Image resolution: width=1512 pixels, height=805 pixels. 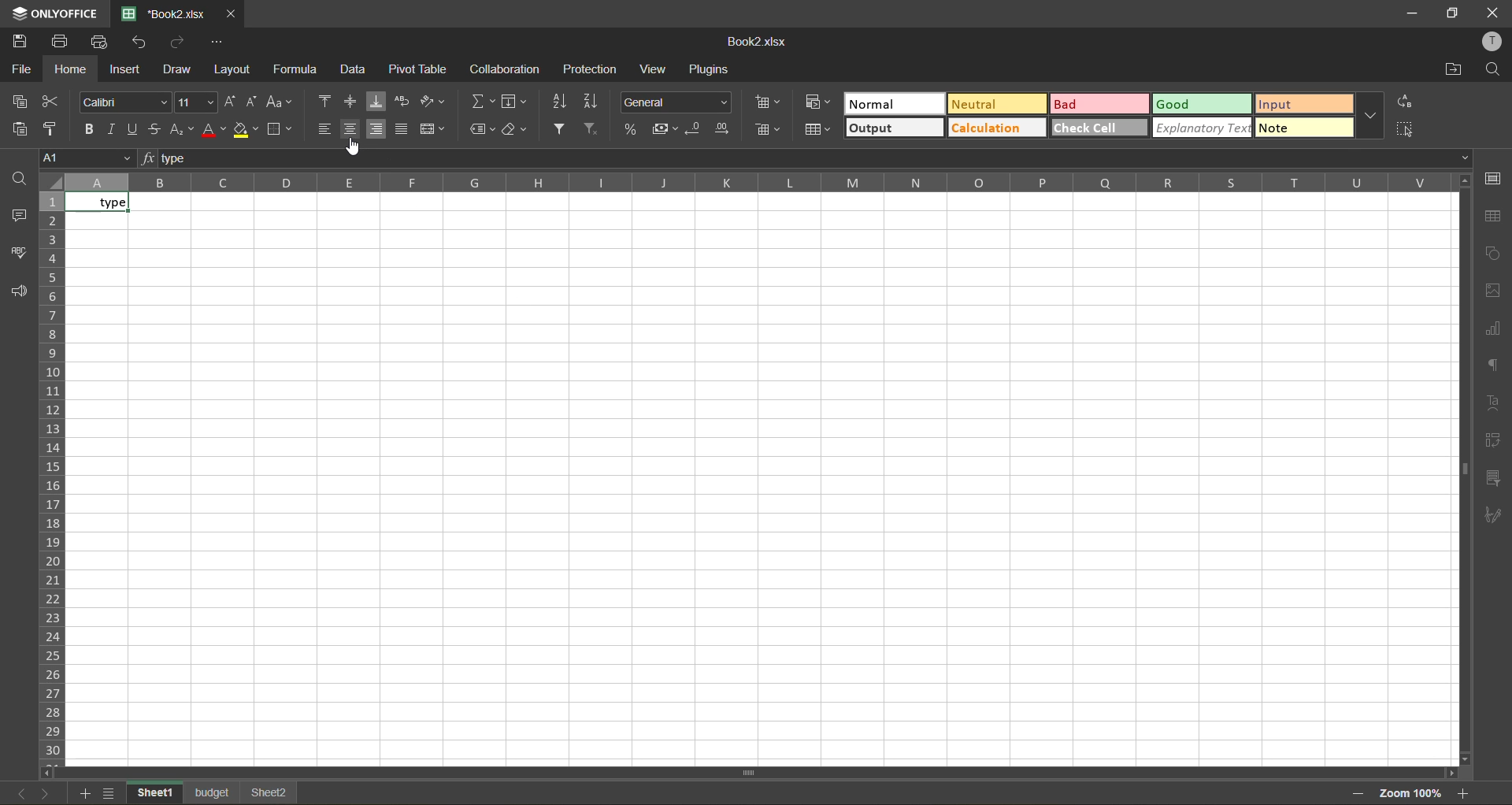 What do you see at coordinates (22, 127) in the screenshot?
I see `paste` at bounding box center [22, 127].